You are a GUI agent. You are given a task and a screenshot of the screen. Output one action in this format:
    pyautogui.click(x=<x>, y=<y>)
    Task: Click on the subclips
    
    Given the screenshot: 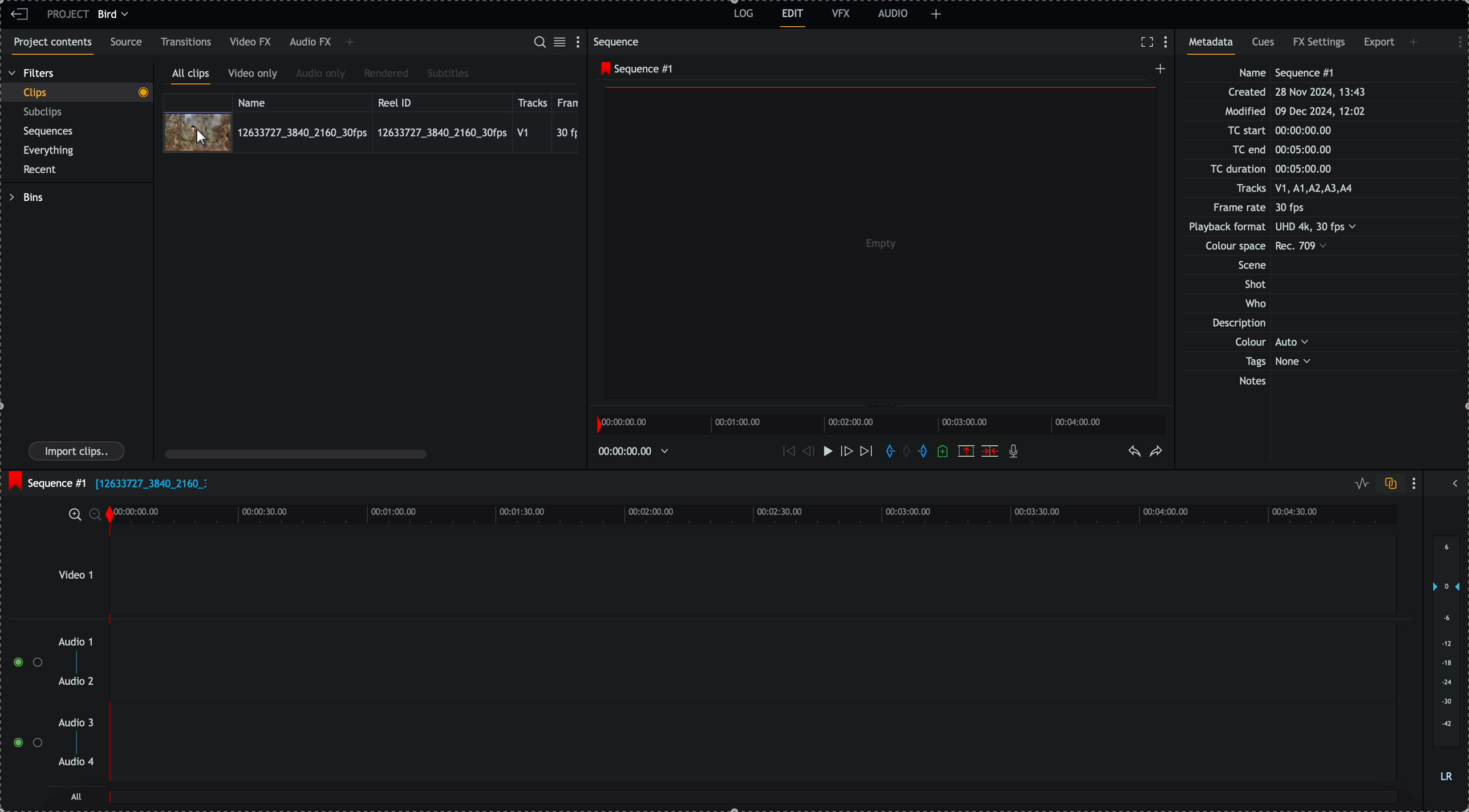 What is the action you would take?
    pyautogui.click(x=45, y=112)
    